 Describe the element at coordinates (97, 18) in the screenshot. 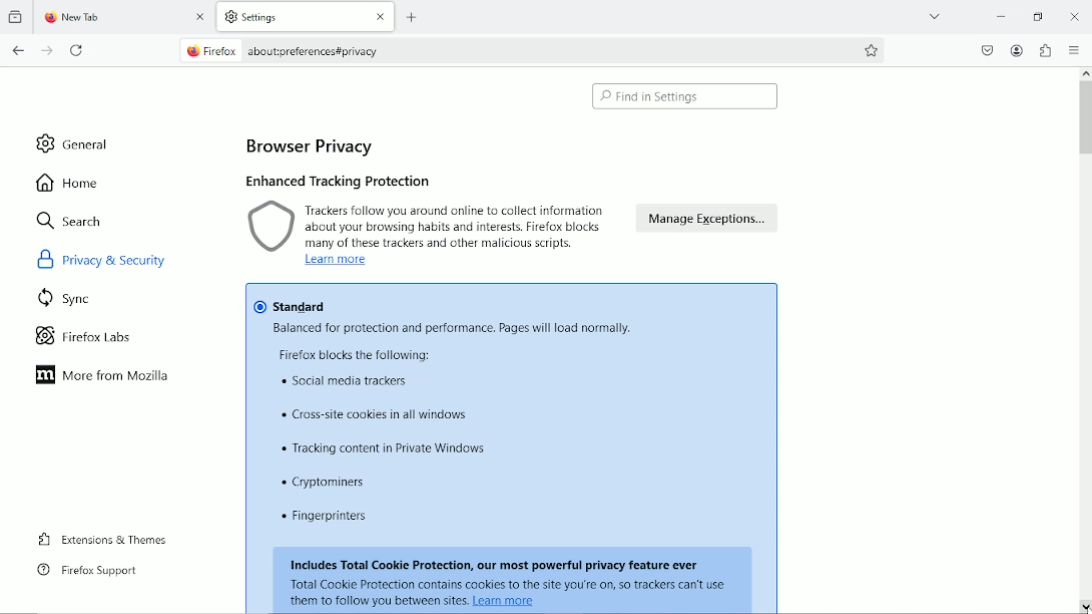

I see `new tab` at that location.